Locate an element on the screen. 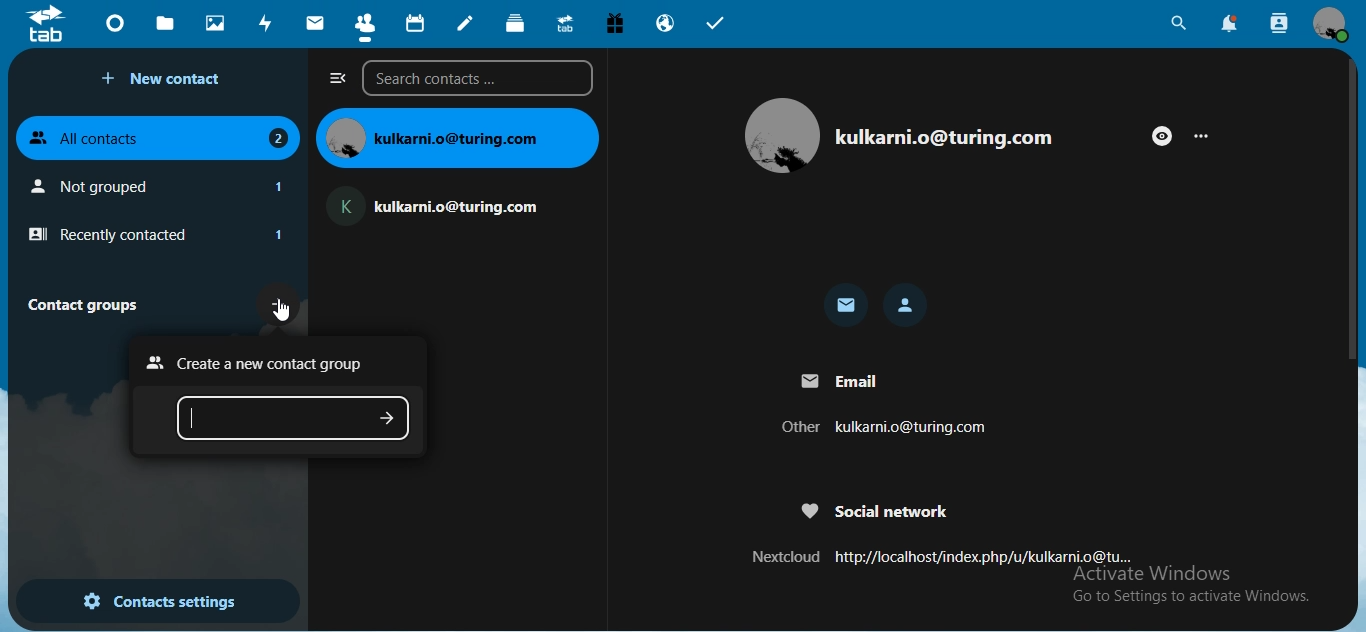  photos is located at coordinates (217, 22).